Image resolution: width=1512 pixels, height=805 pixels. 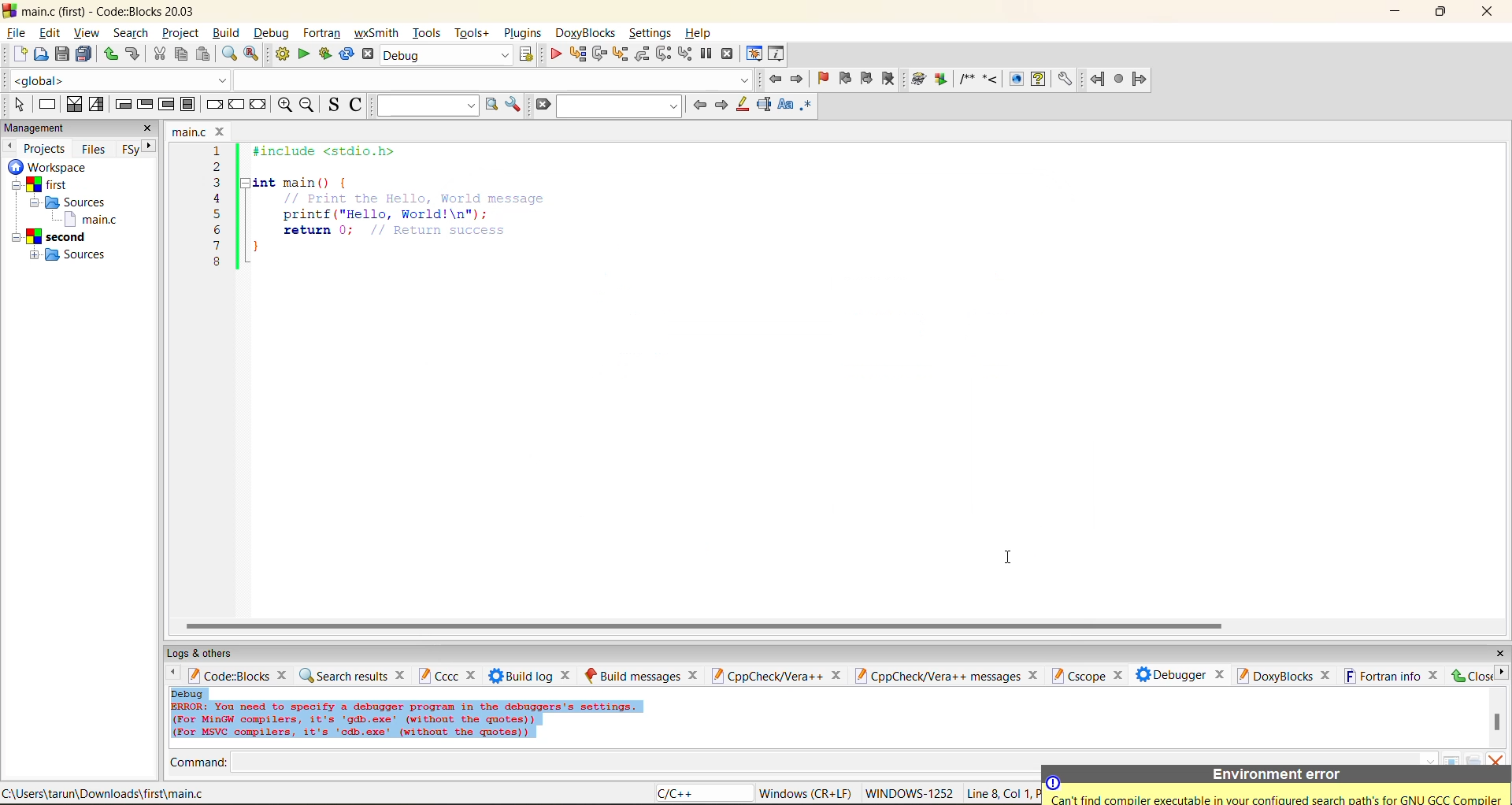 I want to click on close, so click(x=1220, y=673).